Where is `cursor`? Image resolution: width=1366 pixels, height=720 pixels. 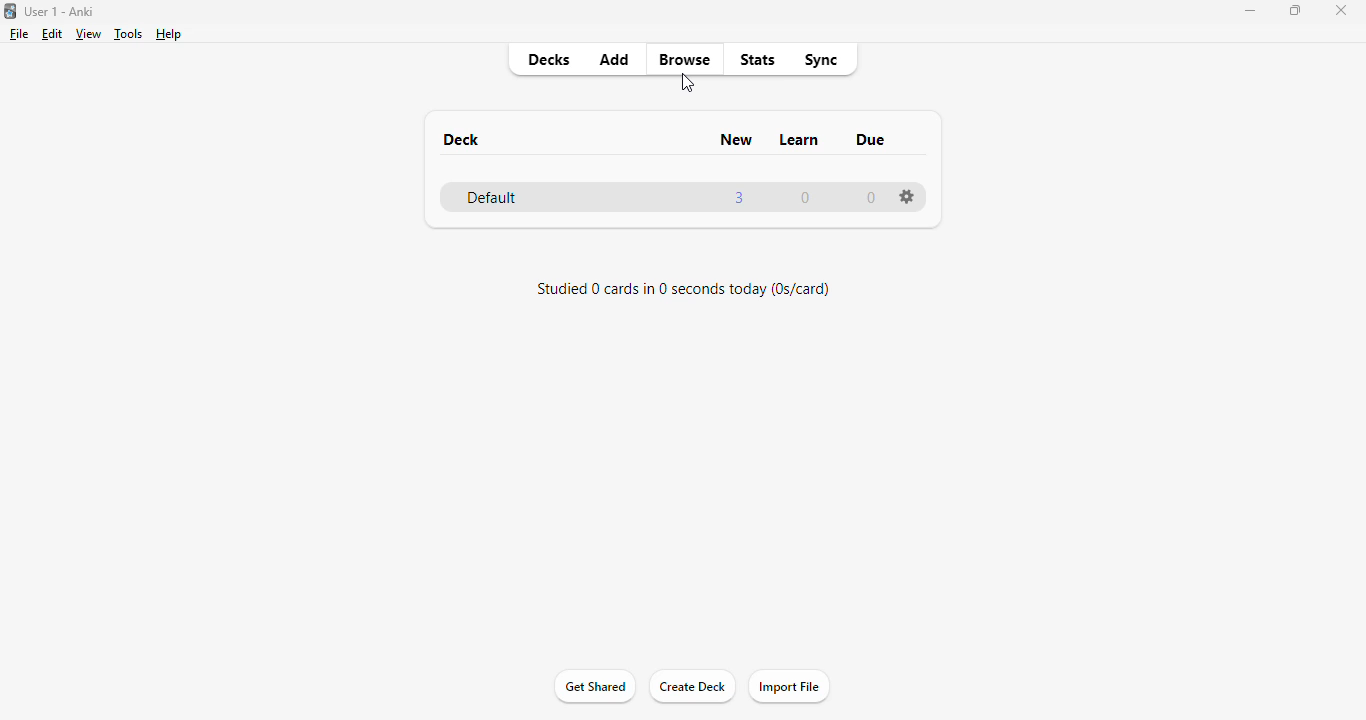
cursor is located at coordinates (687, 82).